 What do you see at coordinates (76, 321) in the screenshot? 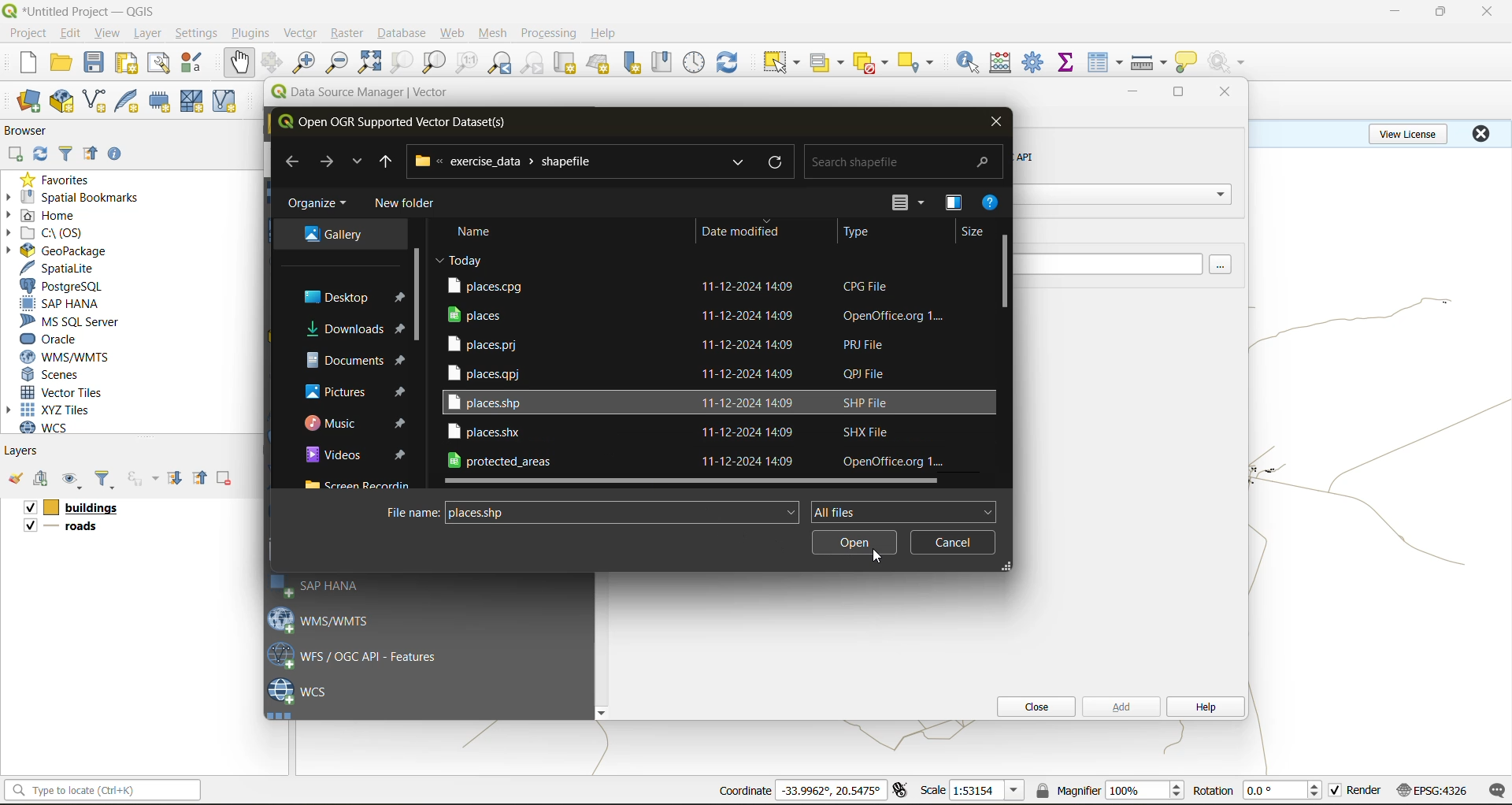
I see `ms sql server` at bounding box center [76, 321].